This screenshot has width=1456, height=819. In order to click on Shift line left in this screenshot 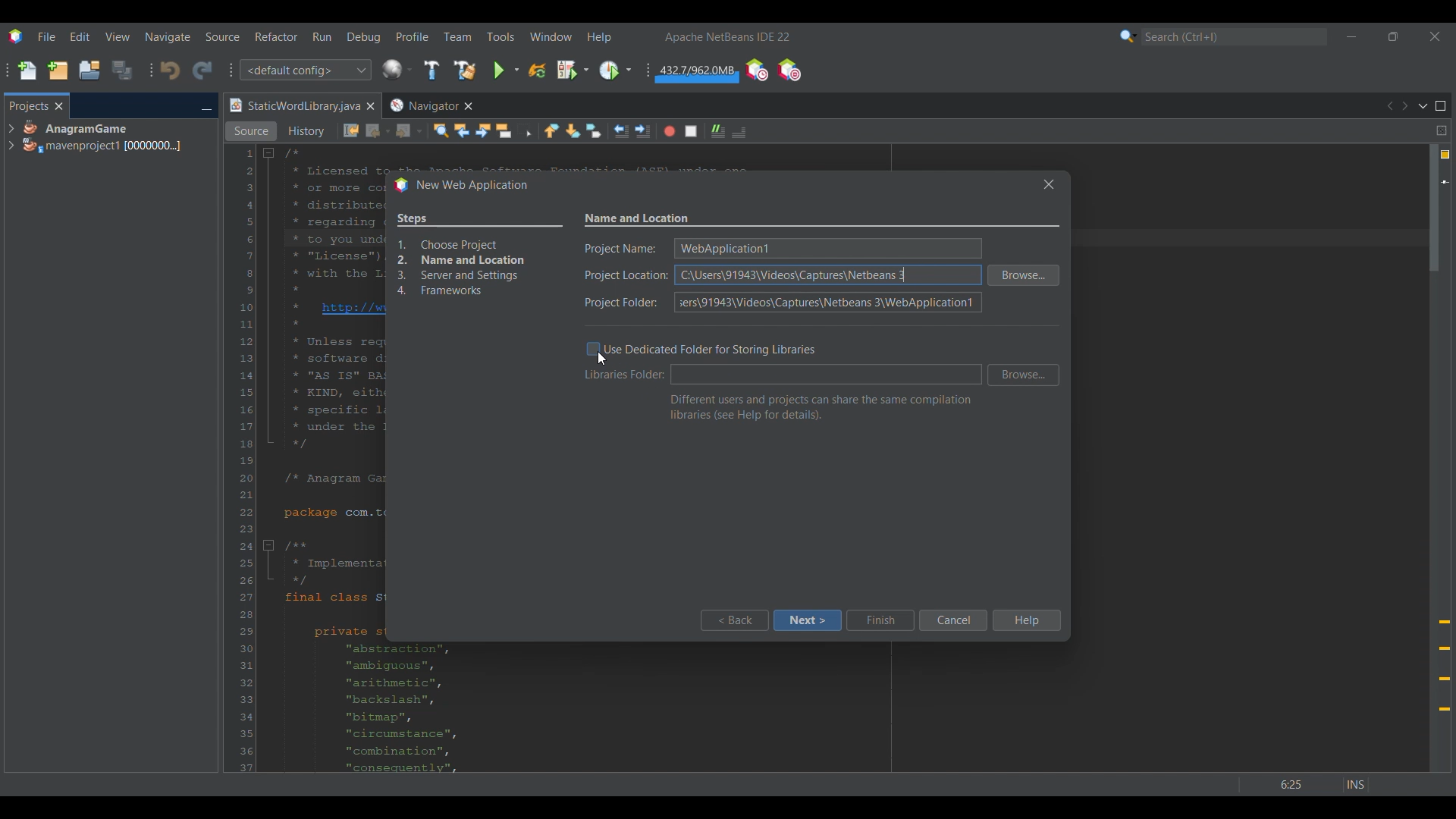, I will do `click(621, 131)`.